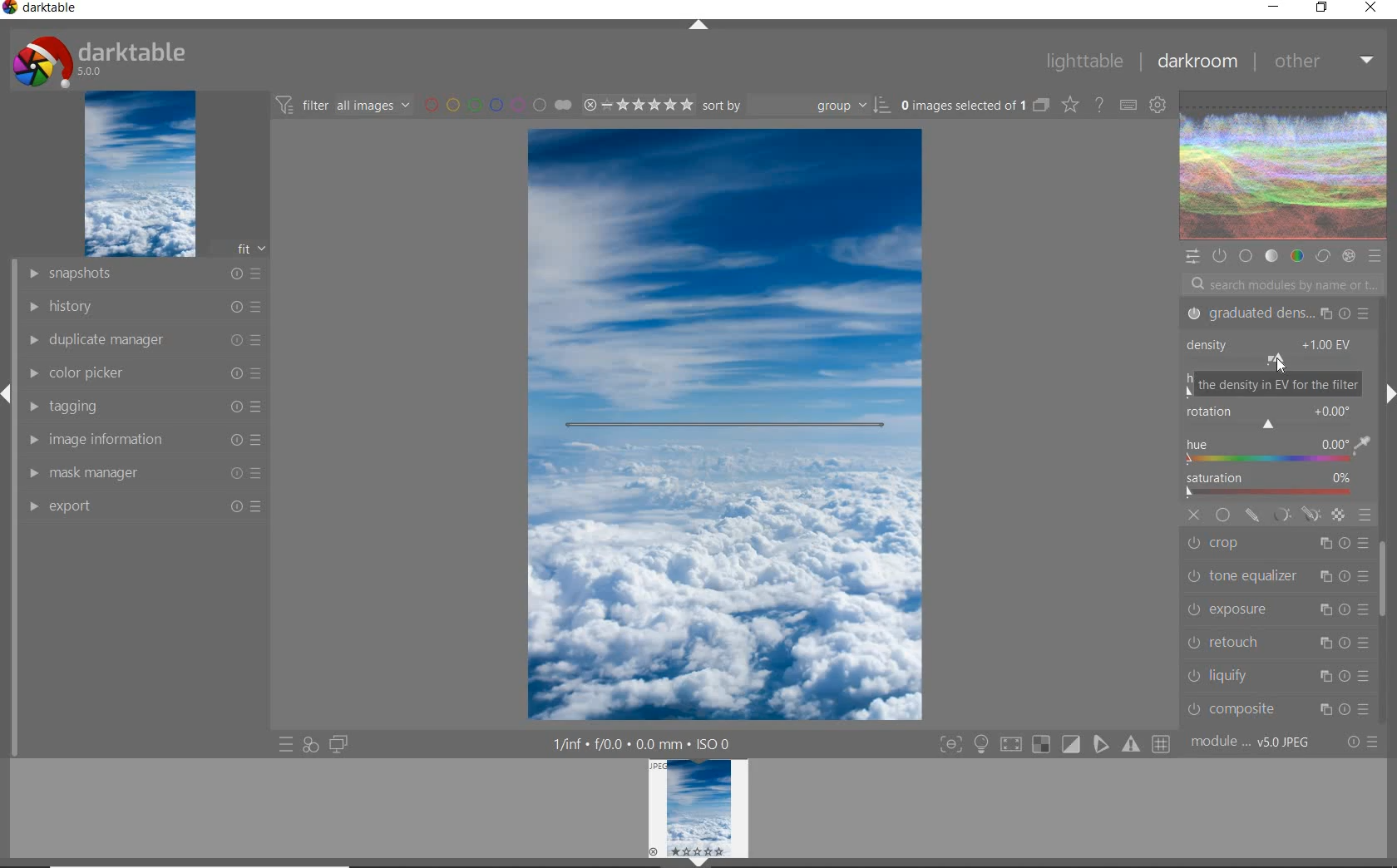 The height and width of the screenshot is (868, 1397). What do you see at coordinates (147, 472) in the screenshot?
I see `MASK MANAGER` at bounding box center [147, 472].